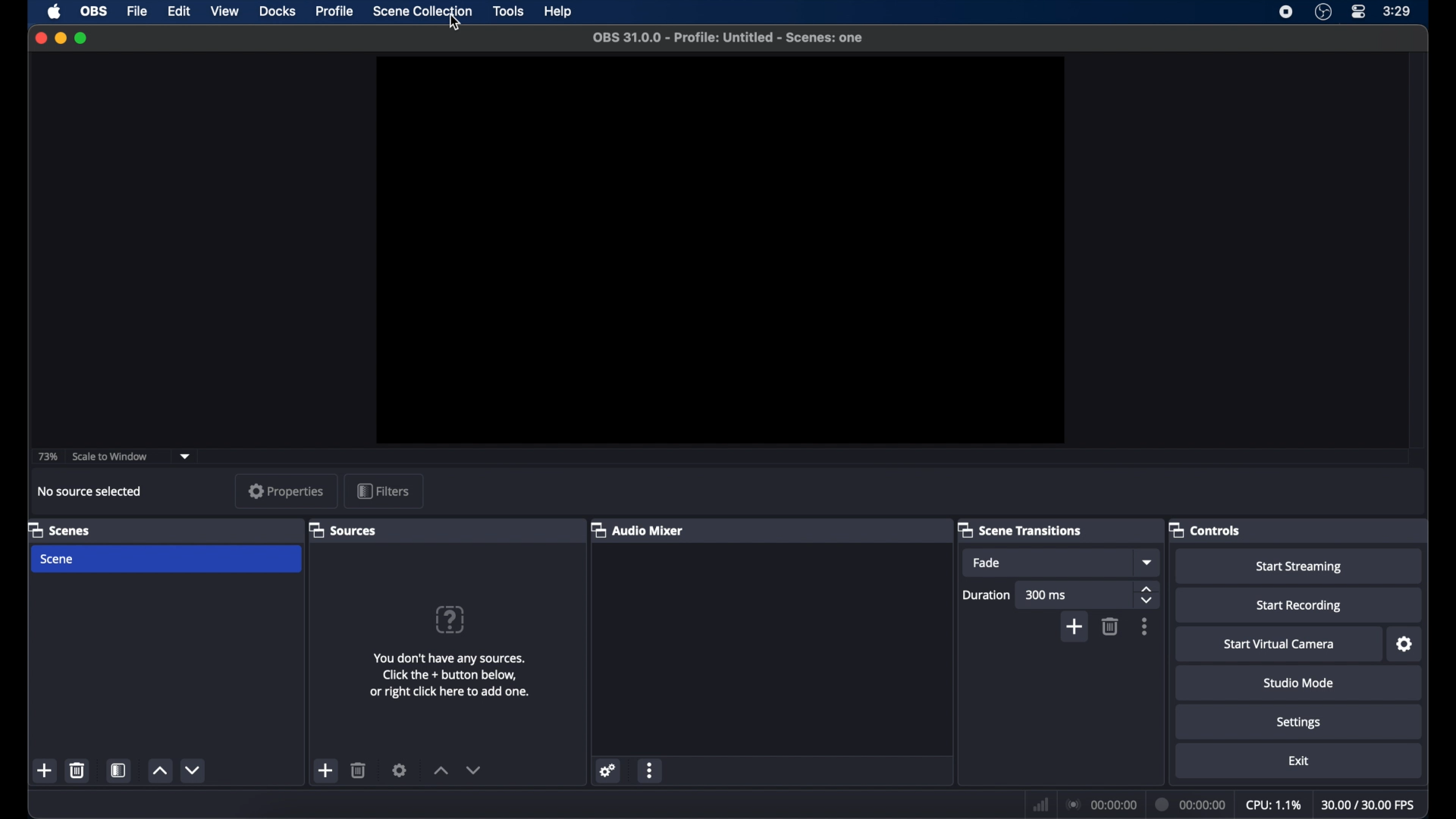 This screenshot has width=1456, height=819. What do you see at coordinates (1370, 805) in the screenshot?
I see `fps` at bounding box center [1370, 805].